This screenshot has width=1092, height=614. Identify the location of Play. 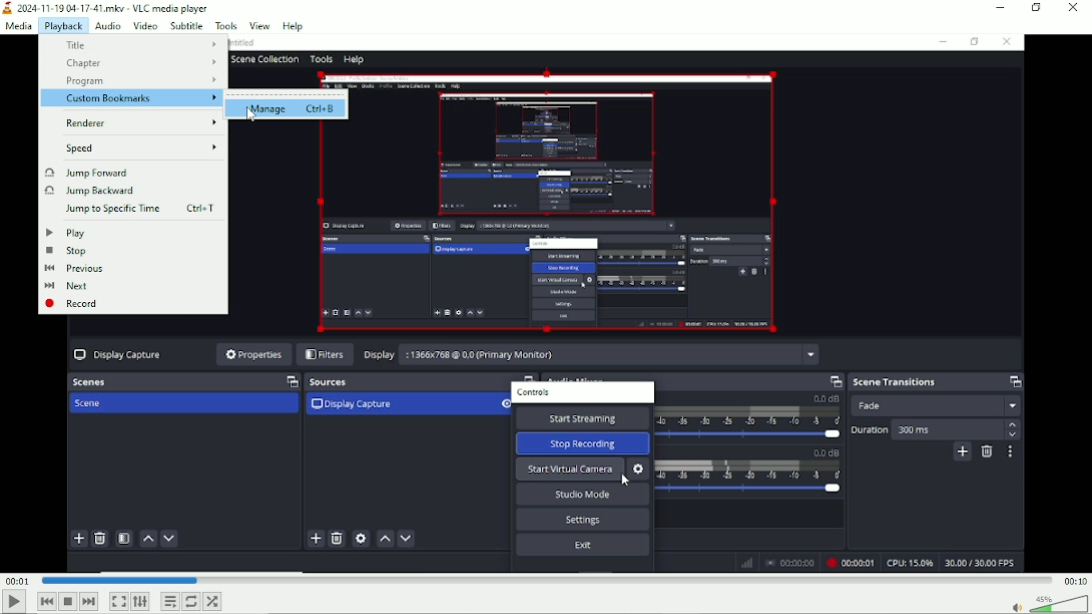
(14, 602).